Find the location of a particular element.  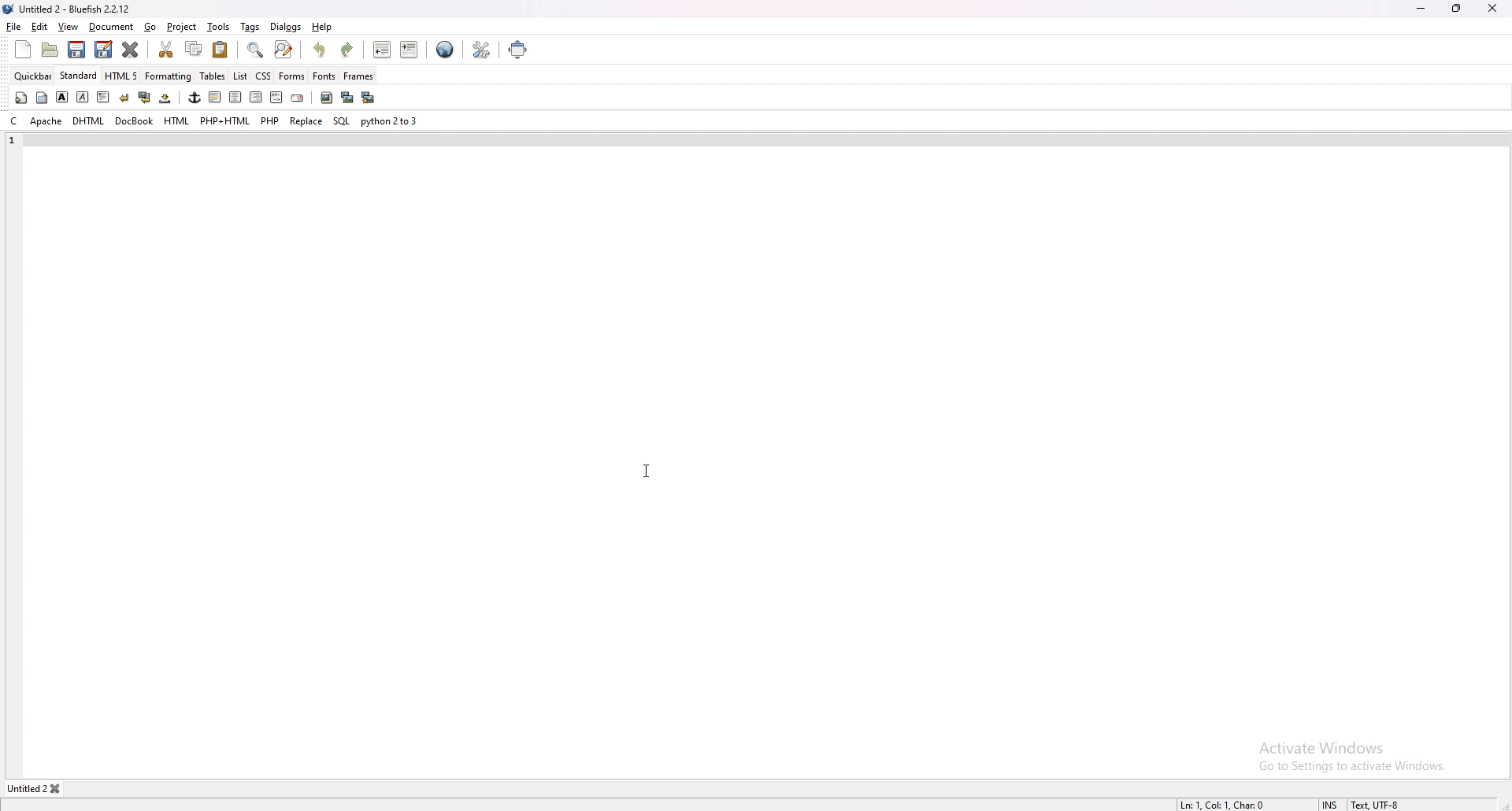

multi thumbnail is located at coordinates (370, 97).